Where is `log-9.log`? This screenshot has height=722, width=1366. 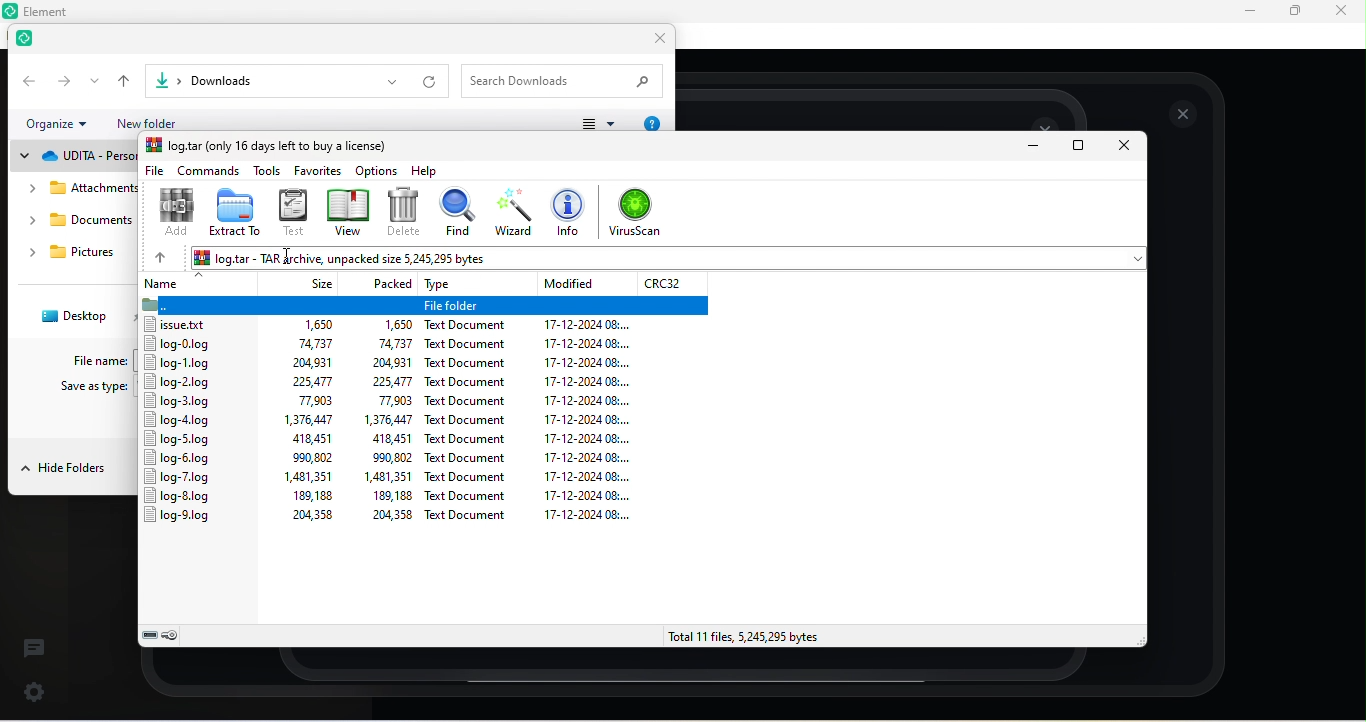 log-9.log is located at coordinates (178, 516).